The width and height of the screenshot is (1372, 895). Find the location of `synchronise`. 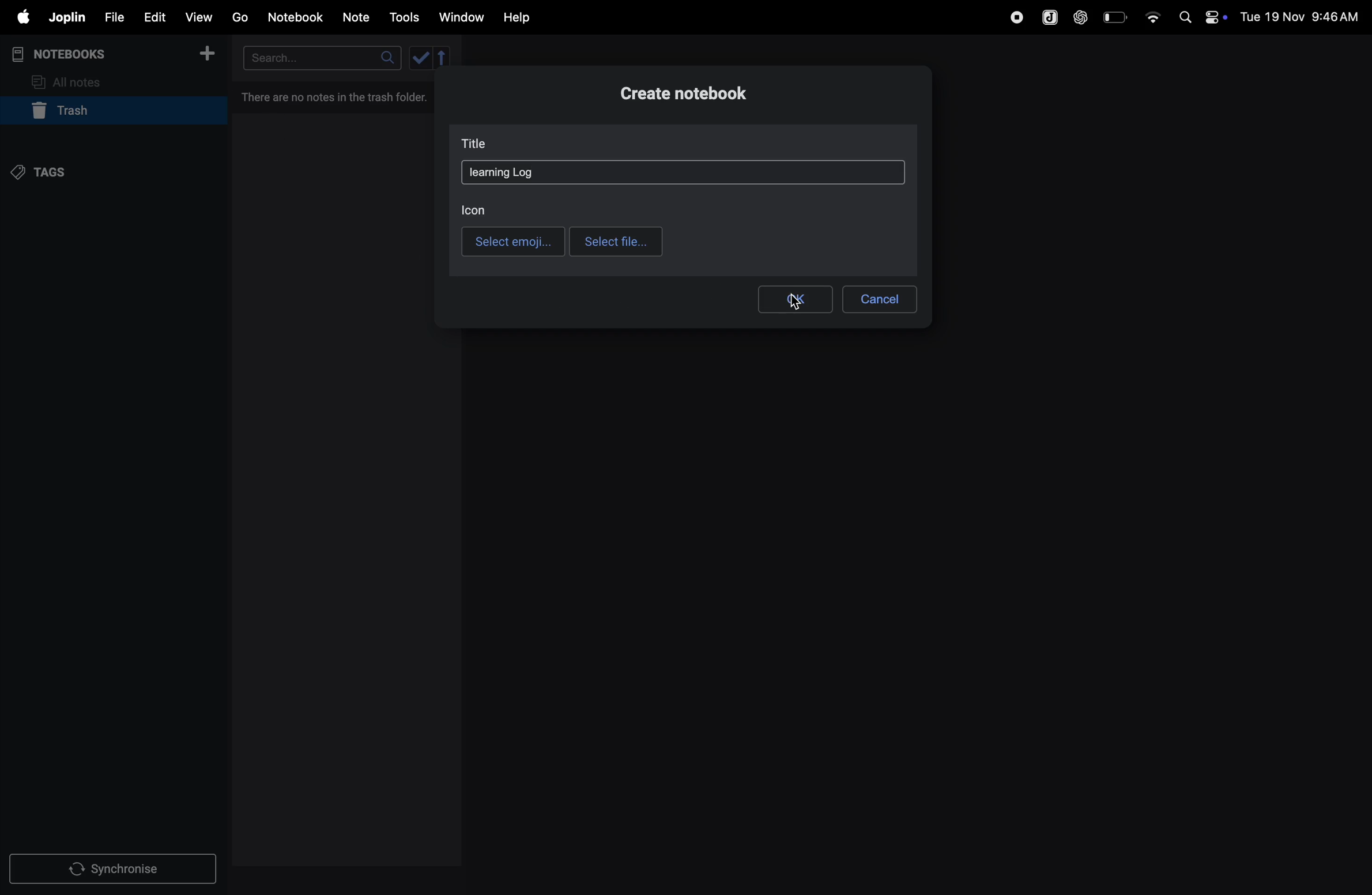

synchronise is located at coordinates (115, 870).